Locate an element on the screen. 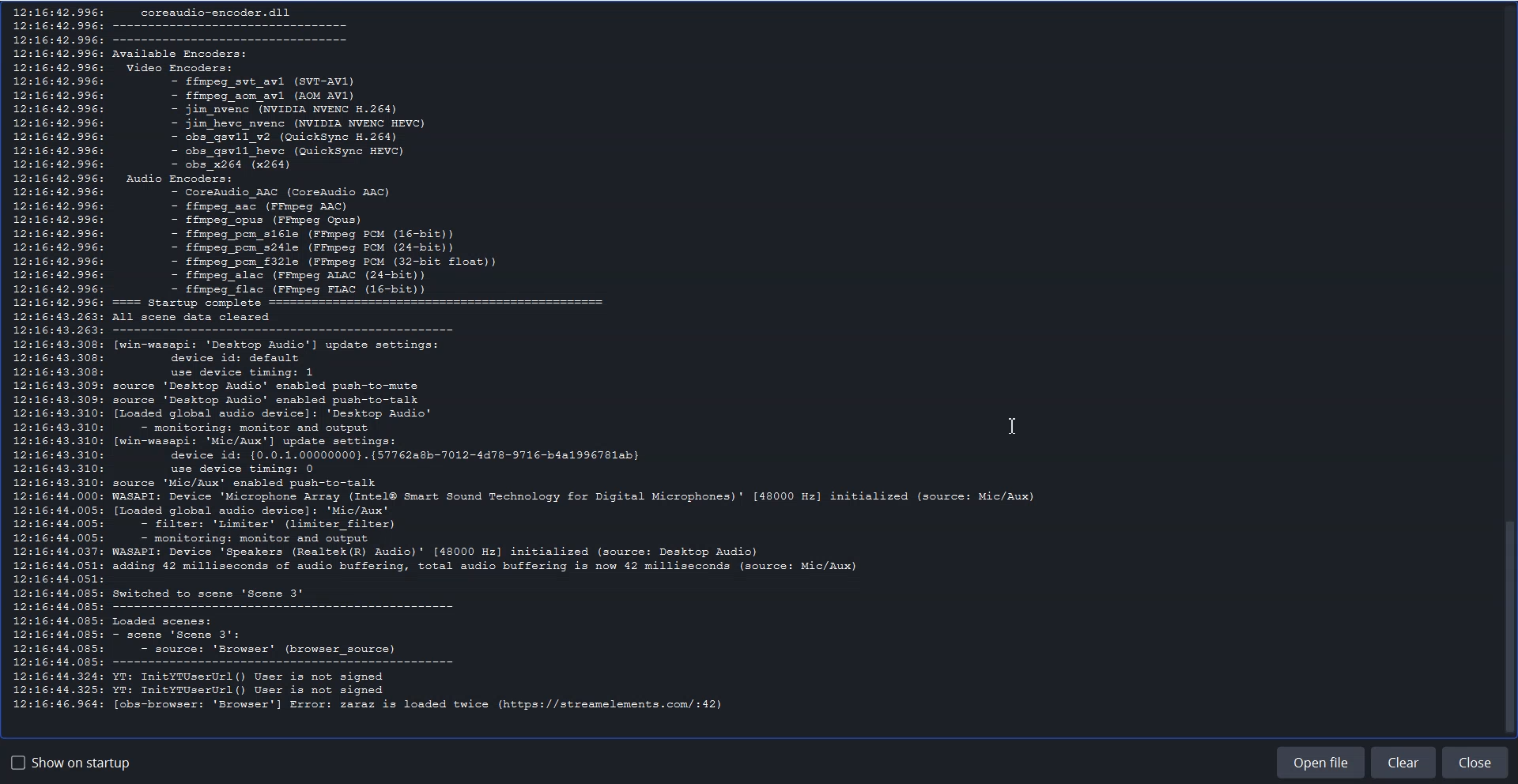 The image size is (1518, 784). Clear is located at coordinates (1403, 761).